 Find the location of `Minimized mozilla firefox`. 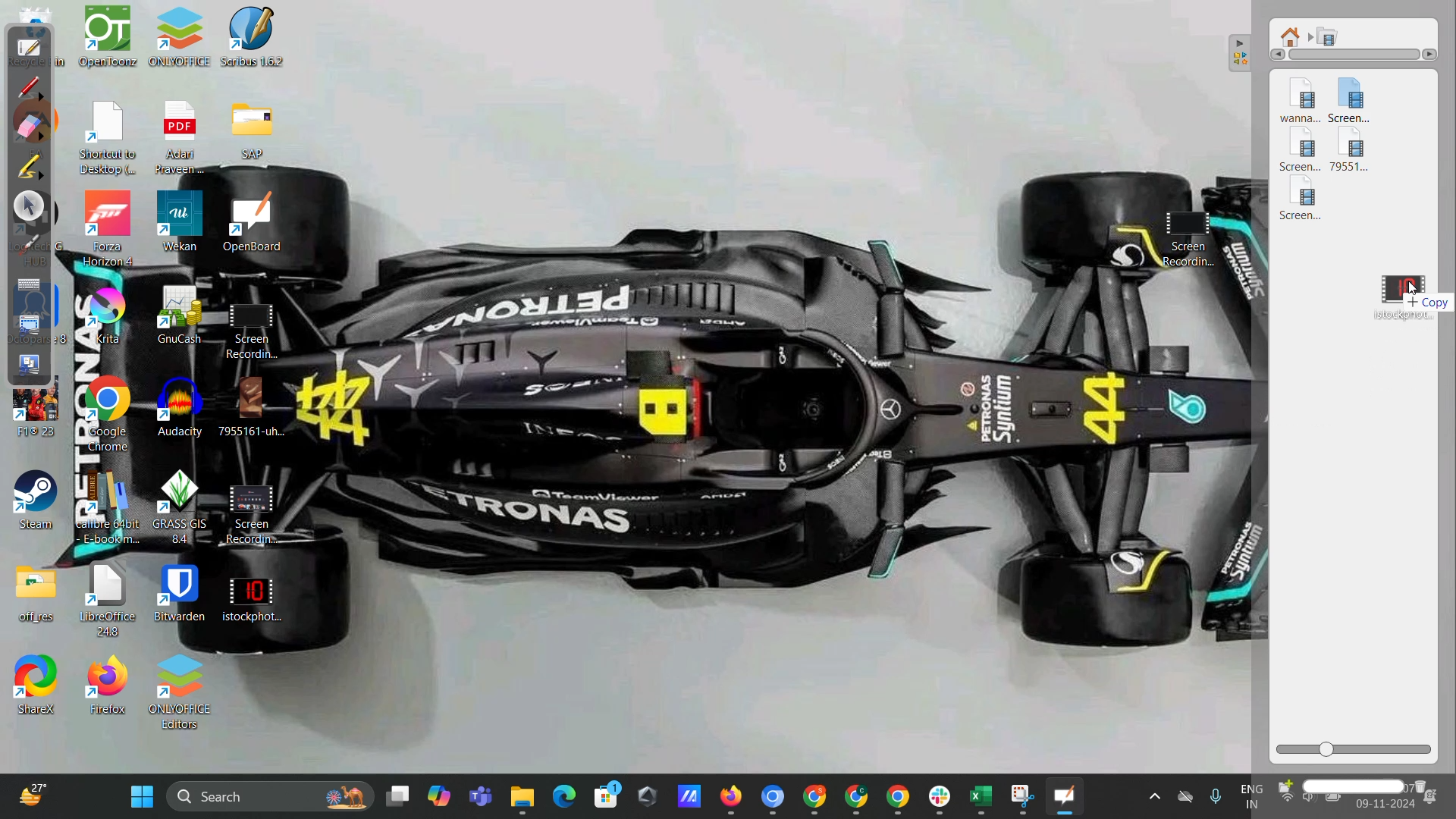

Minimized mozilla firefox is located at coordinates (736, 797).